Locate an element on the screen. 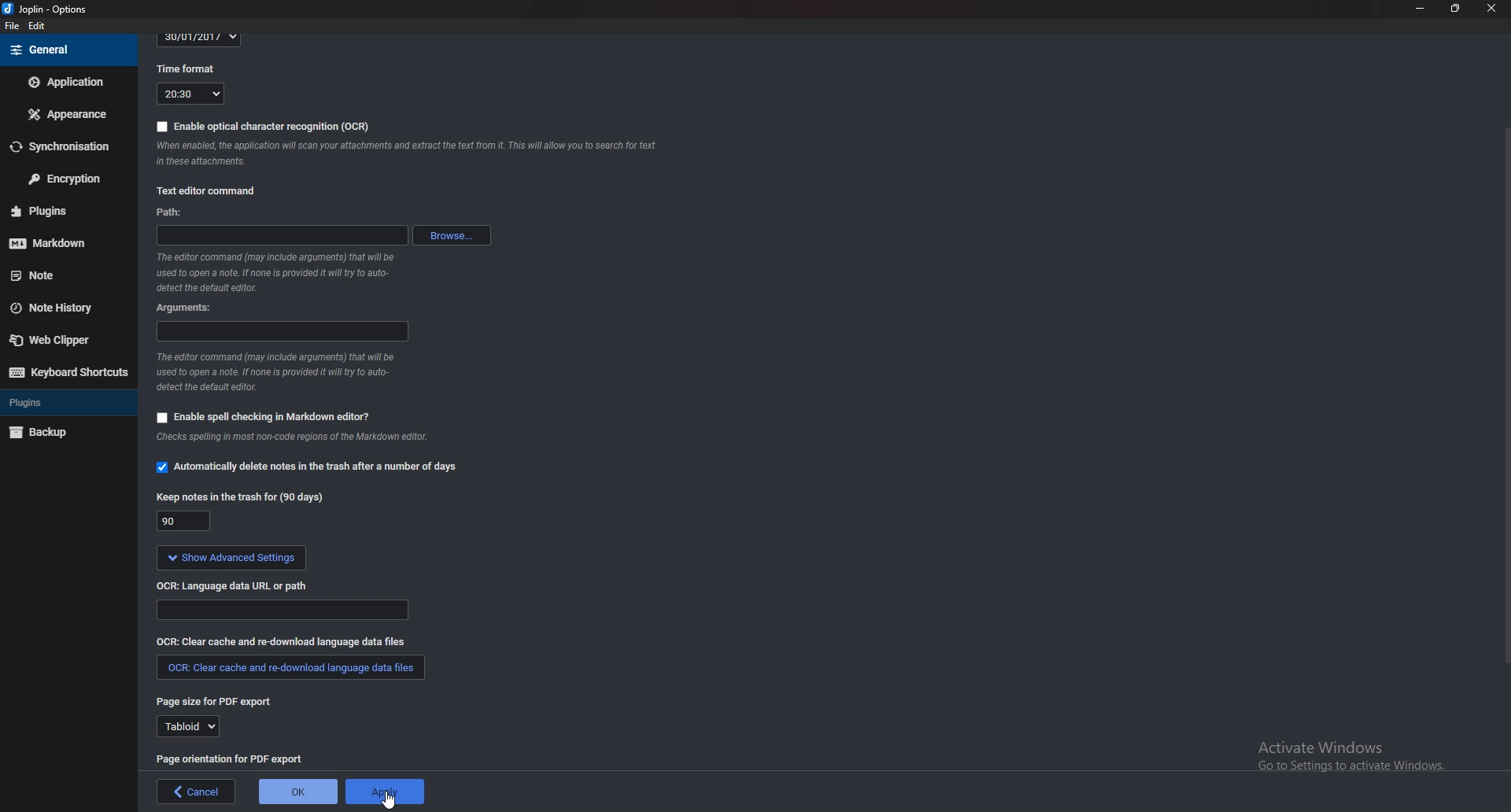 This screenshot has height=812, width=1511. Web clipper is located at coordinates (62, 340).